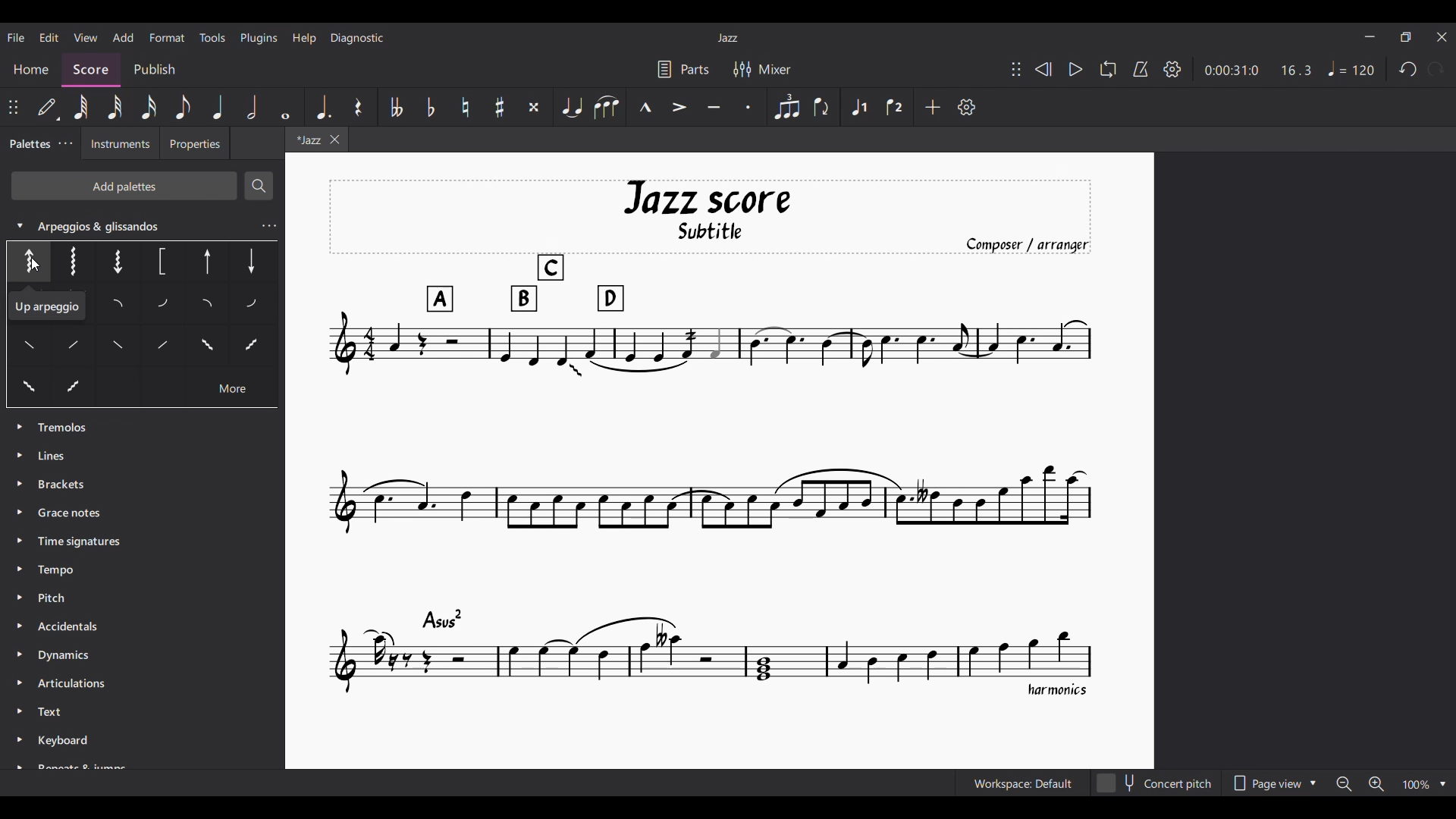  Describe the element at coordinates (205, 306) in the screenshot. I see `` at that location.